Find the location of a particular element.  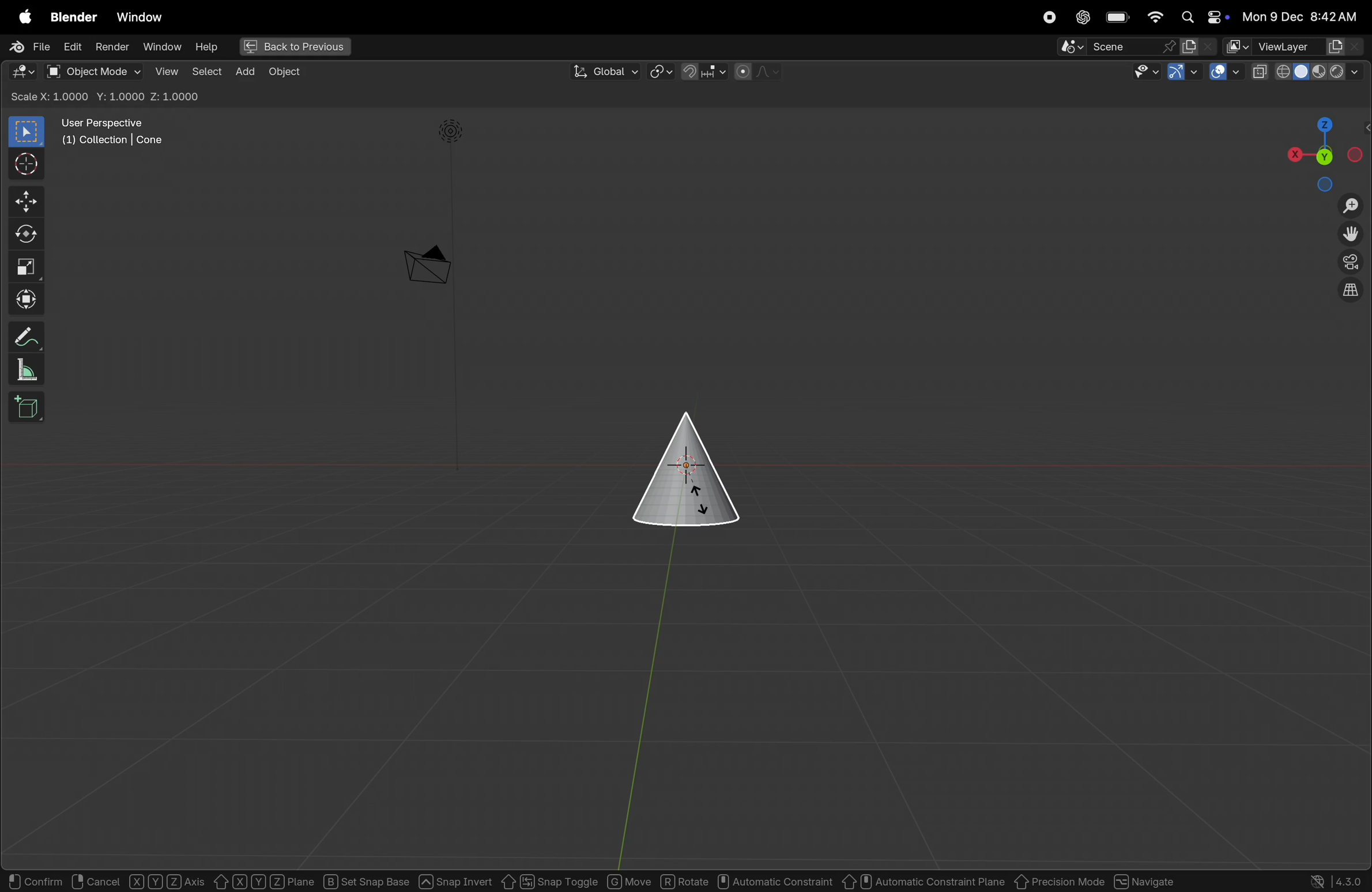

window is located at coordinates (163, 48).